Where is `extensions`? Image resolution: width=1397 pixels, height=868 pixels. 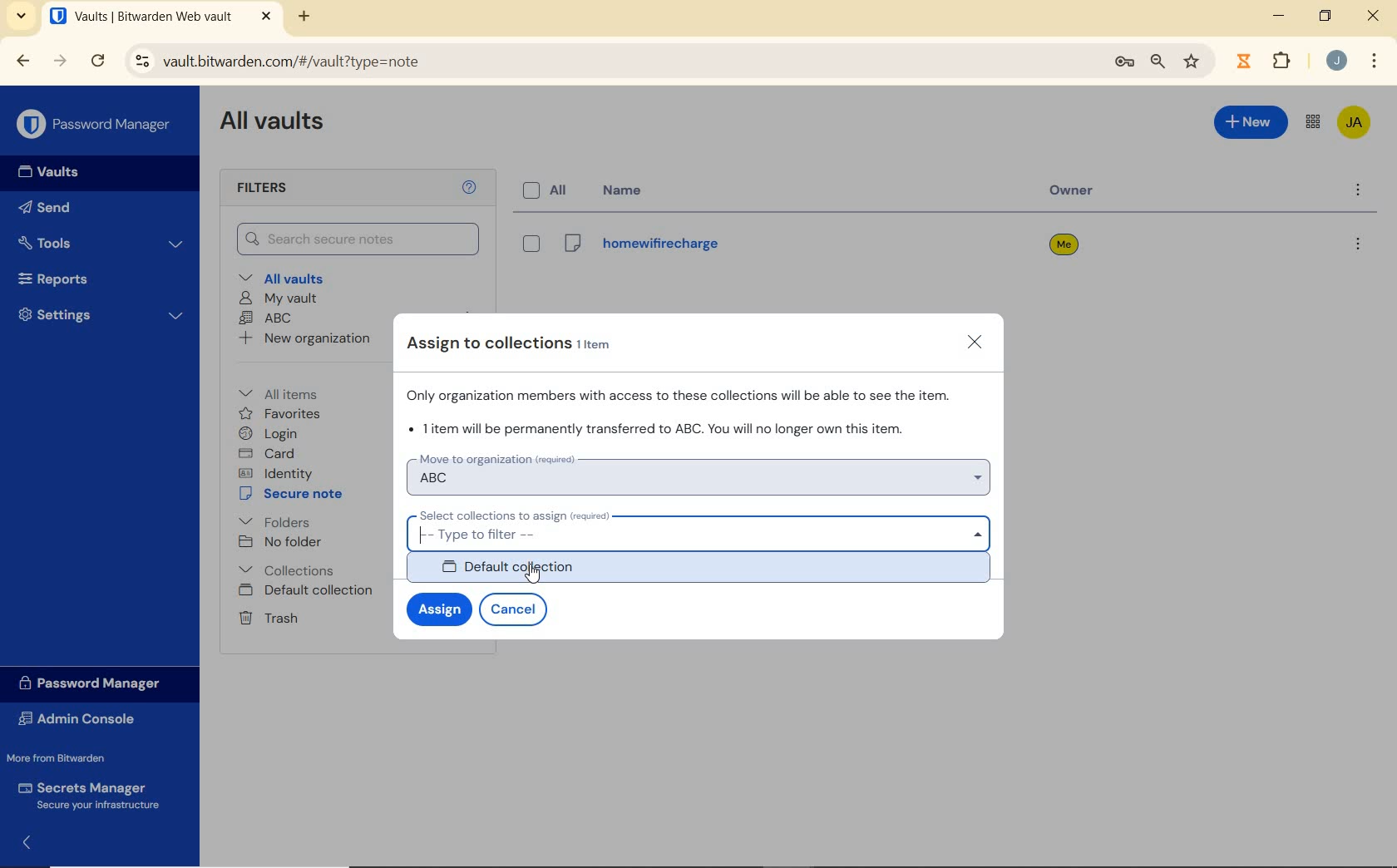 extensions is located at coordinates (1242, 62).